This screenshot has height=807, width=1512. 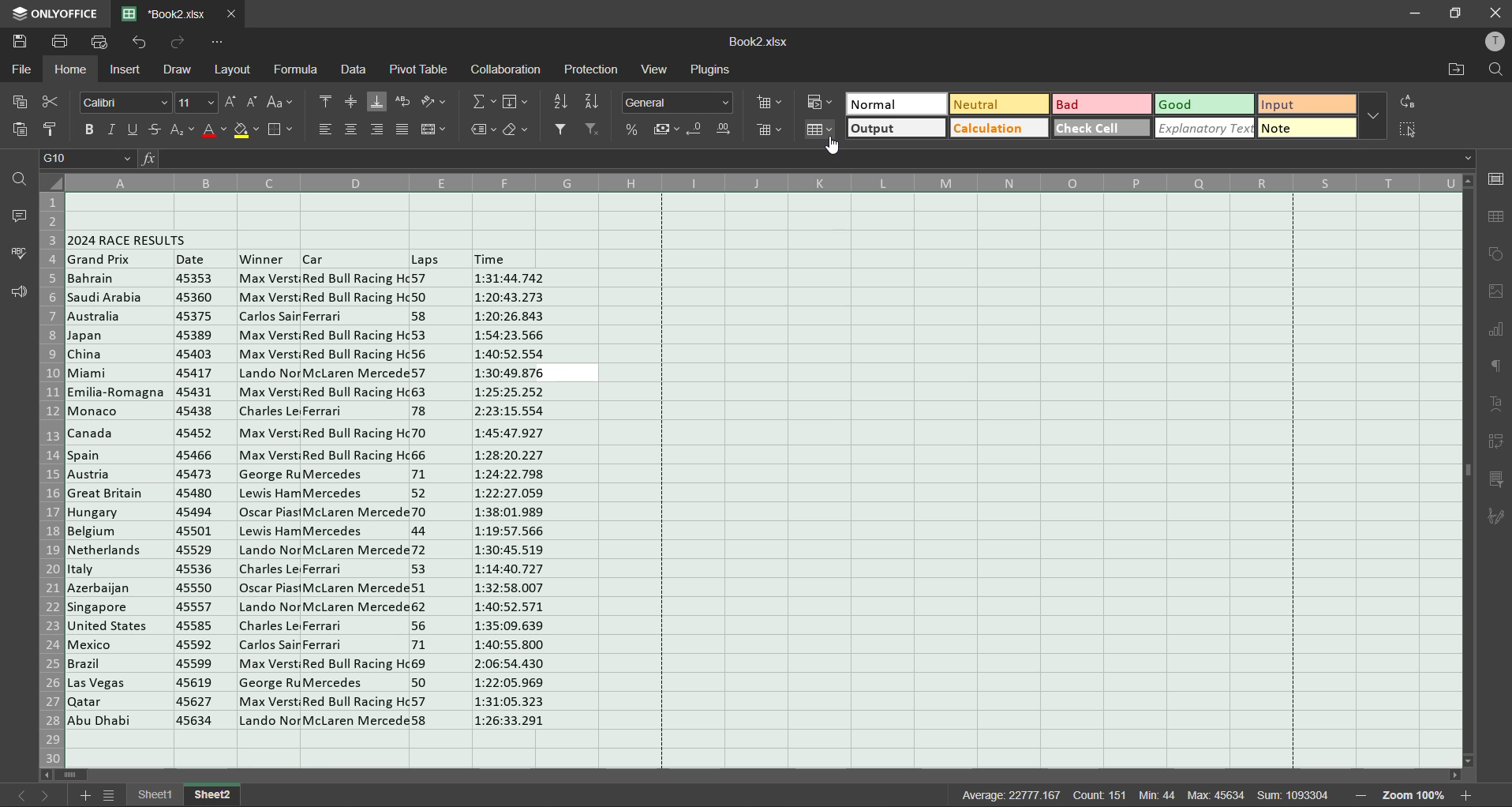 I want to click on insert cells, so click(x=768, y=103).